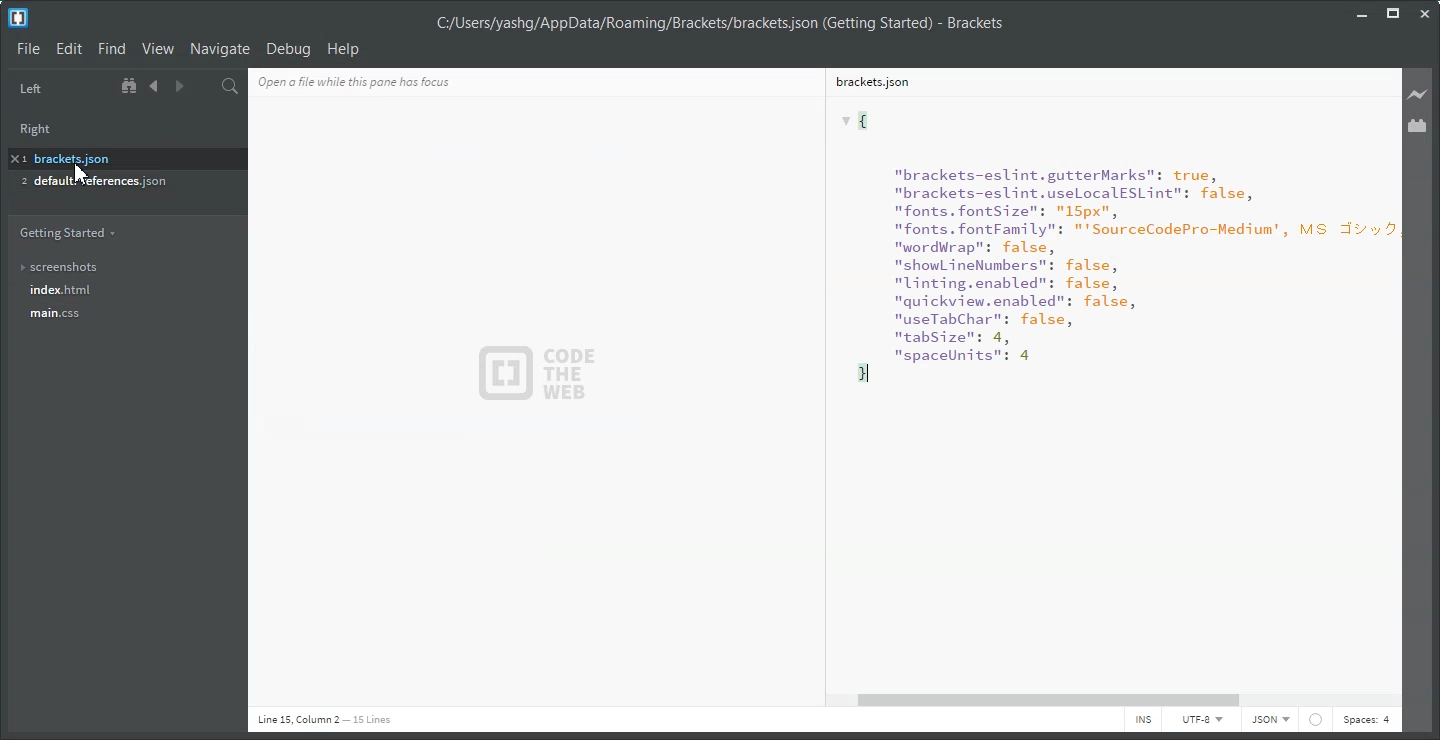 The width and height of the screenshot is (1440, 740). What do you see at coordinates (131, 86) in the screenshot?
I see `Show in file tree` at bounding box center [131, 86].